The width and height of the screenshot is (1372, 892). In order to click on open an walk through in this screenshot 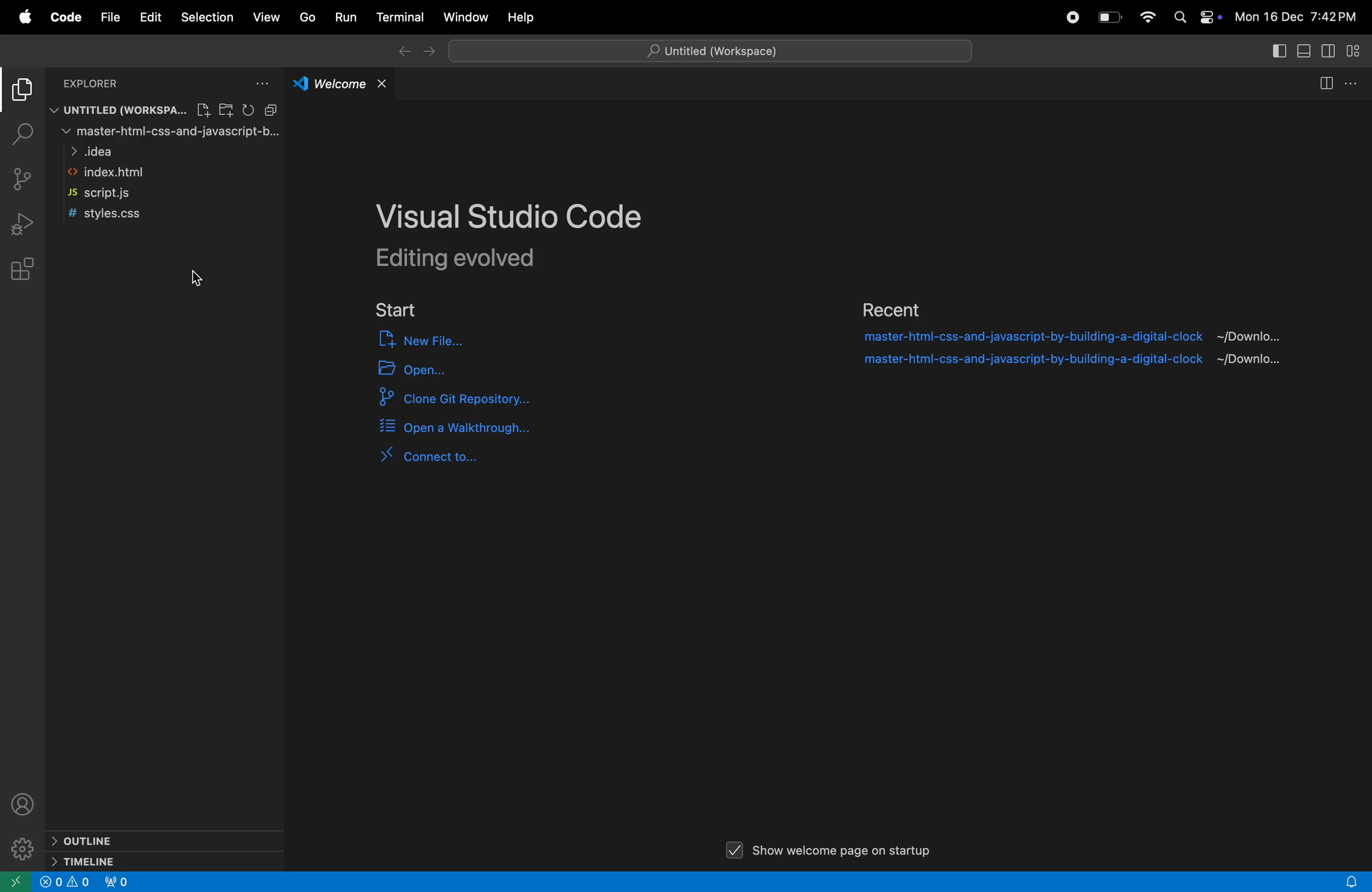, I will do `click(458, 429)`.